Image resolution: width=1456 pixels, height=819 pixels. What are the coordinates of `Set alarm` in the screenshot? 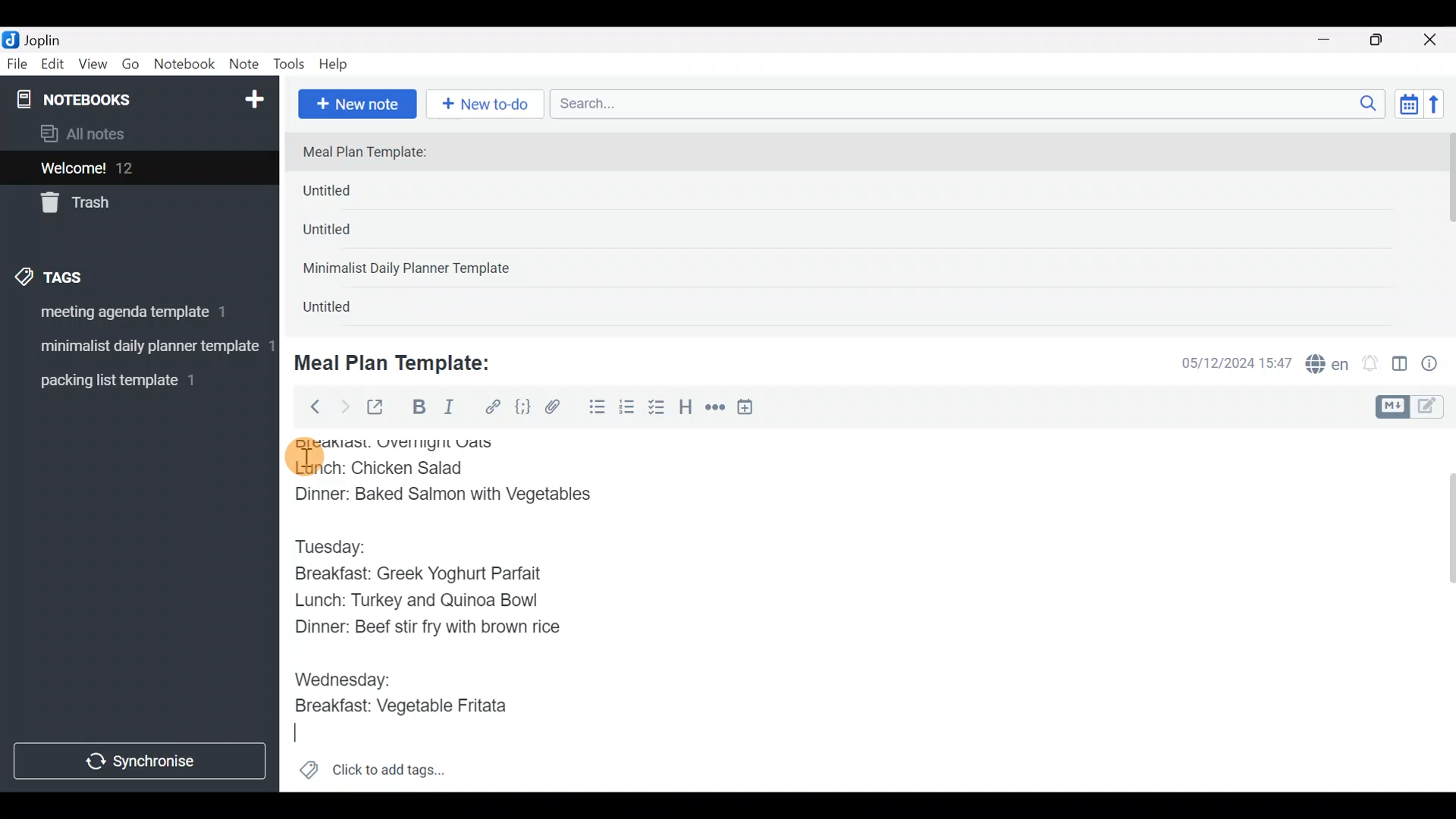 It's located at (1371, 365).